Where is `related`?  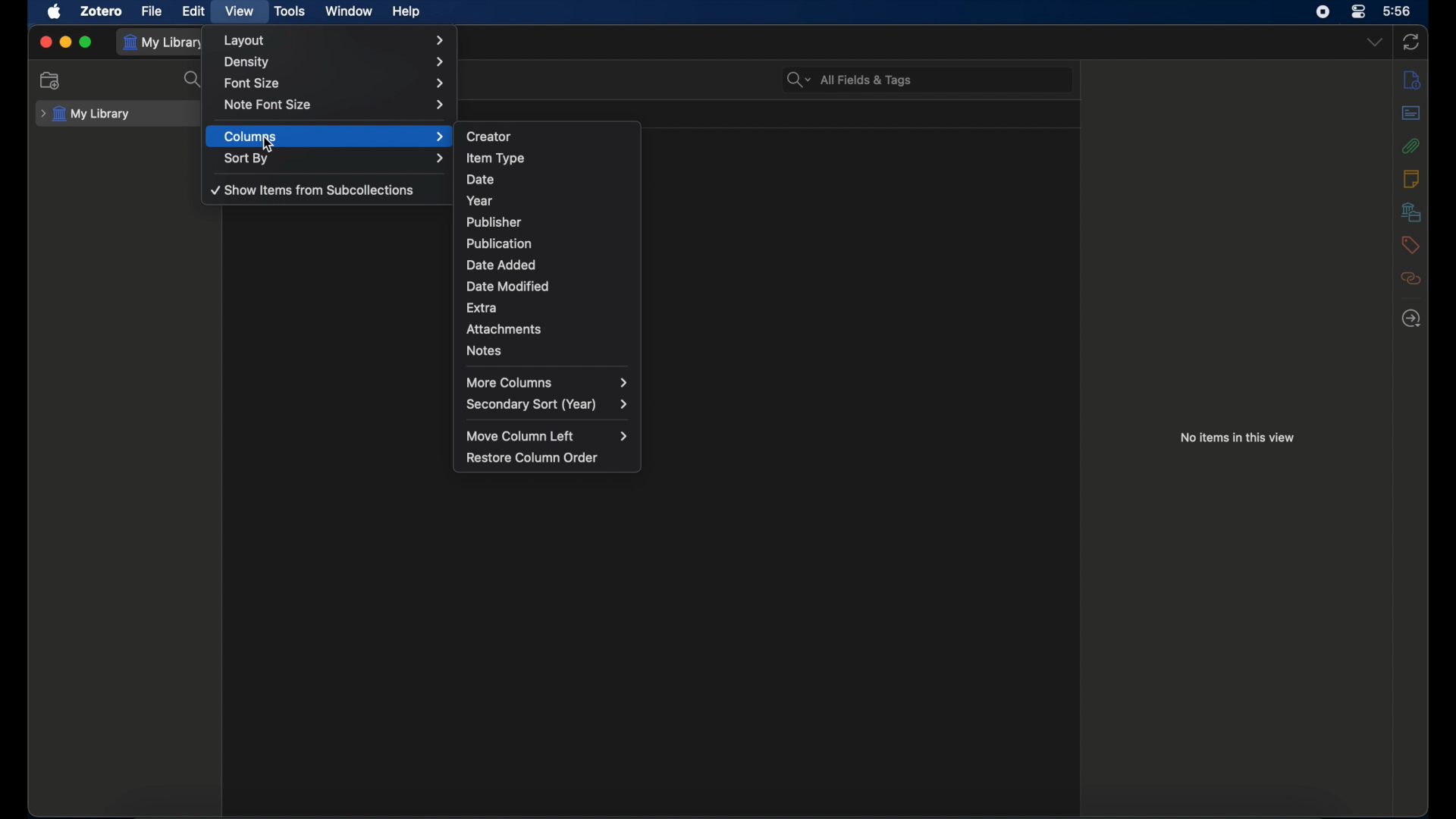 related is located at coordinates (1410, 278).